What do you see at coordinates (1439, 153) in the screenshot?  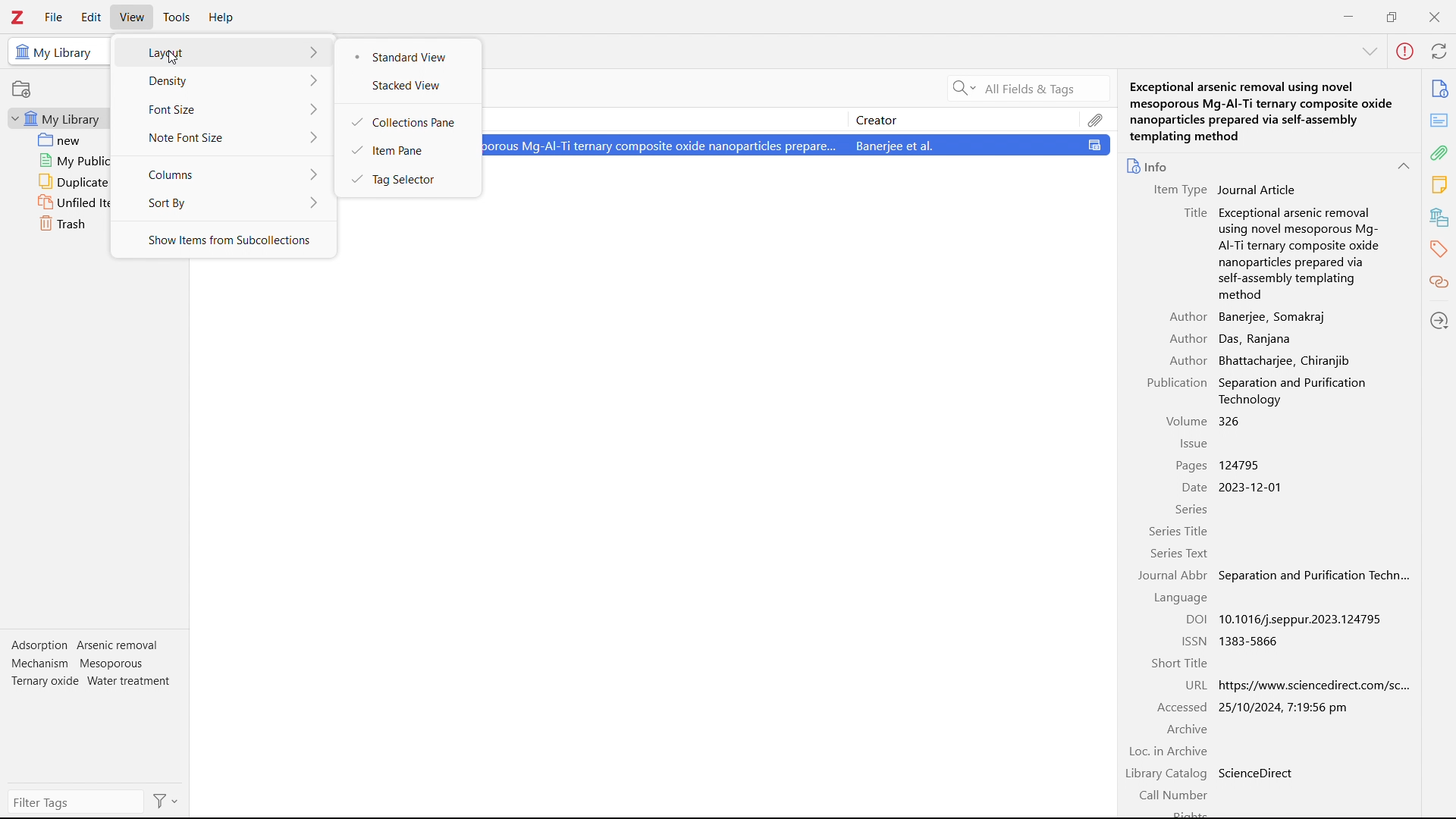 I see `attachments` at bounding box center [1439, 153].